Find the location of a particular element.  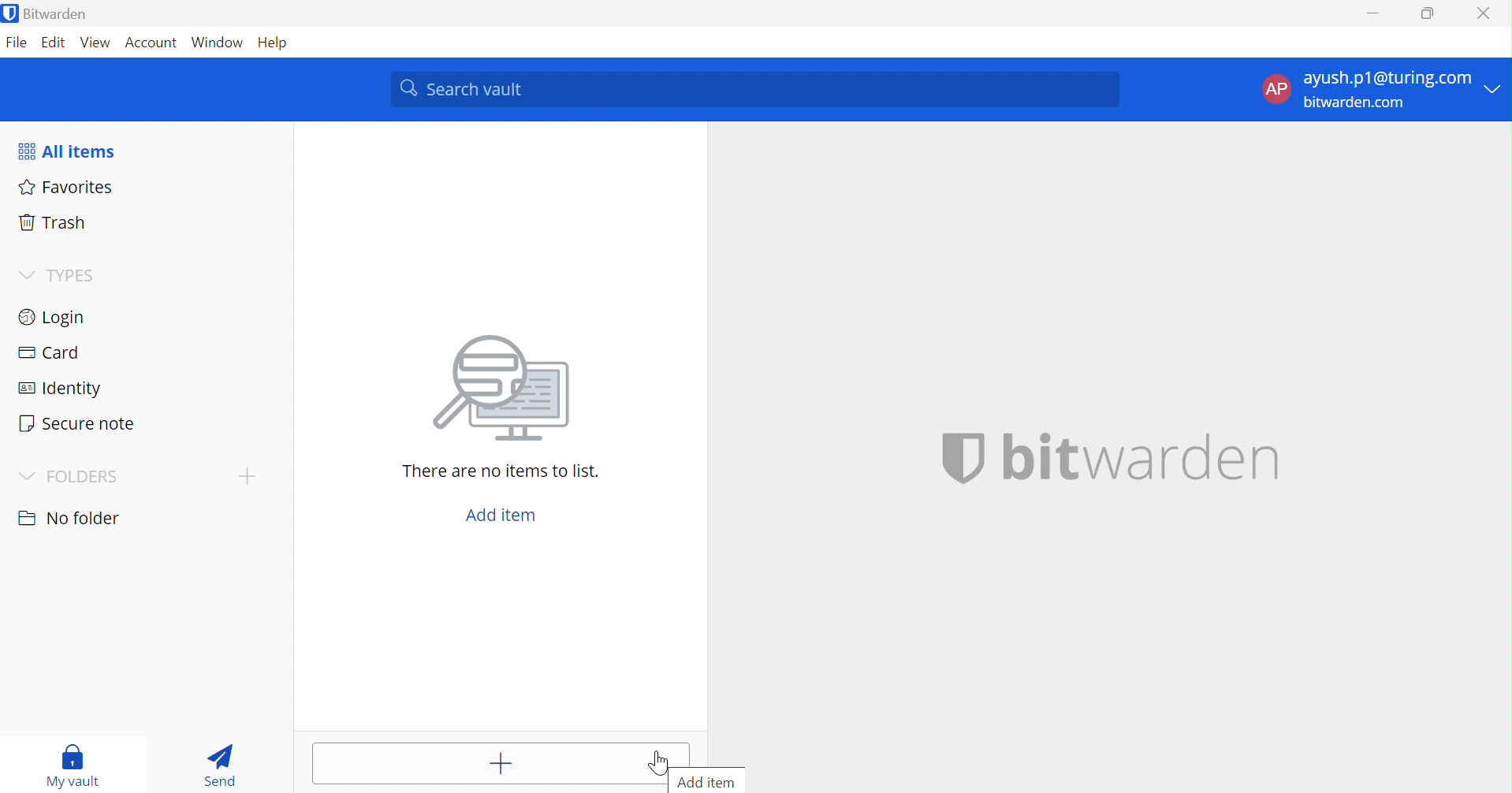

Edit is located at coordinates (55, 44).